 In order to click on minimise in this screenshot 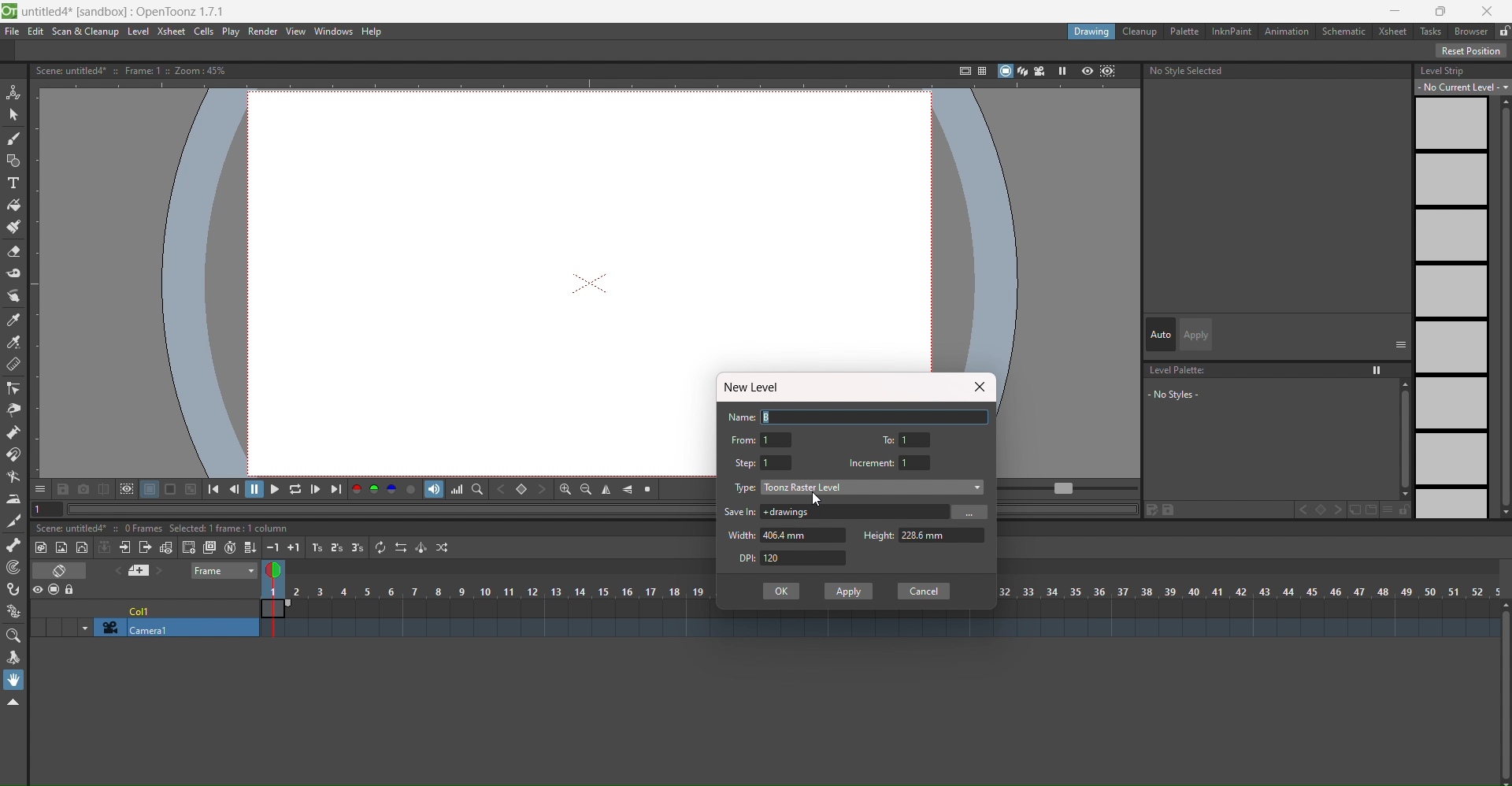, I will do `click(1395, 11)`.